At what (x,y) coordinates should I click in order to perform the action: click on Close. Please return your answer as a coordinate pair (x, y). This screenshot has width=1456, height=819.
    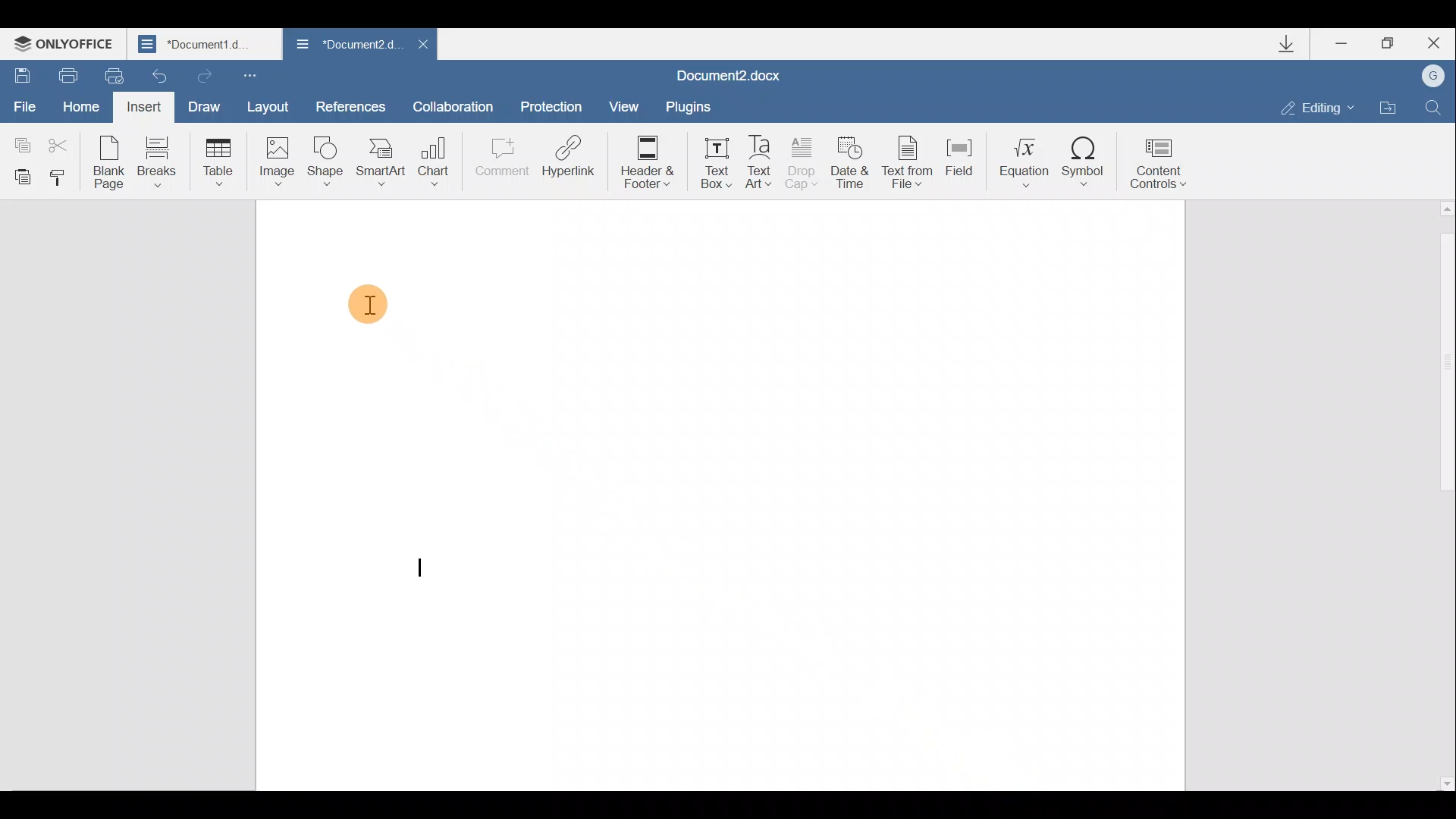
    Looking at the image, I should click on (423, 44).